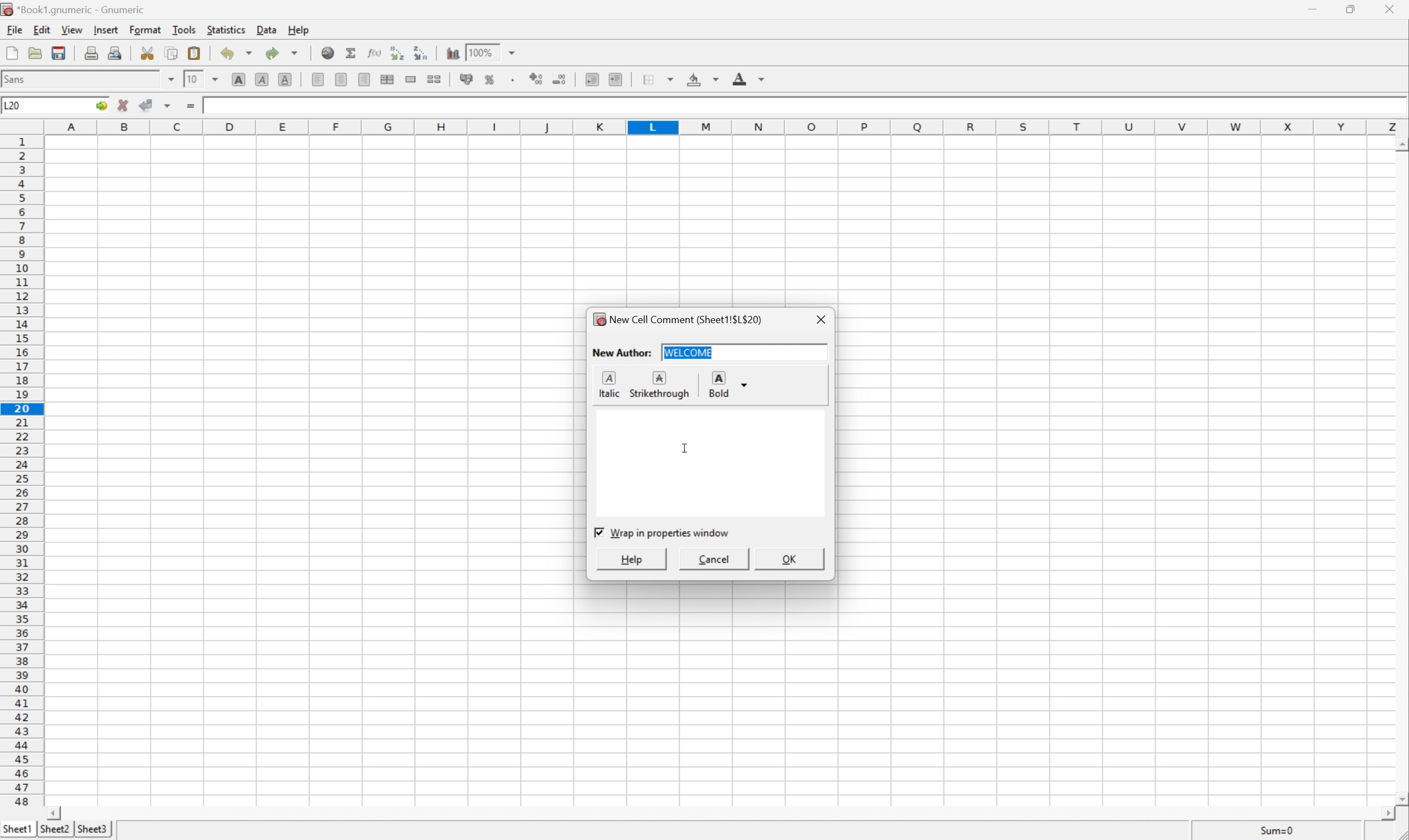  What do you see at coordinates (452, 54) in the screenshot?
I see `Insert a chart` at bounding box center [452, 54].